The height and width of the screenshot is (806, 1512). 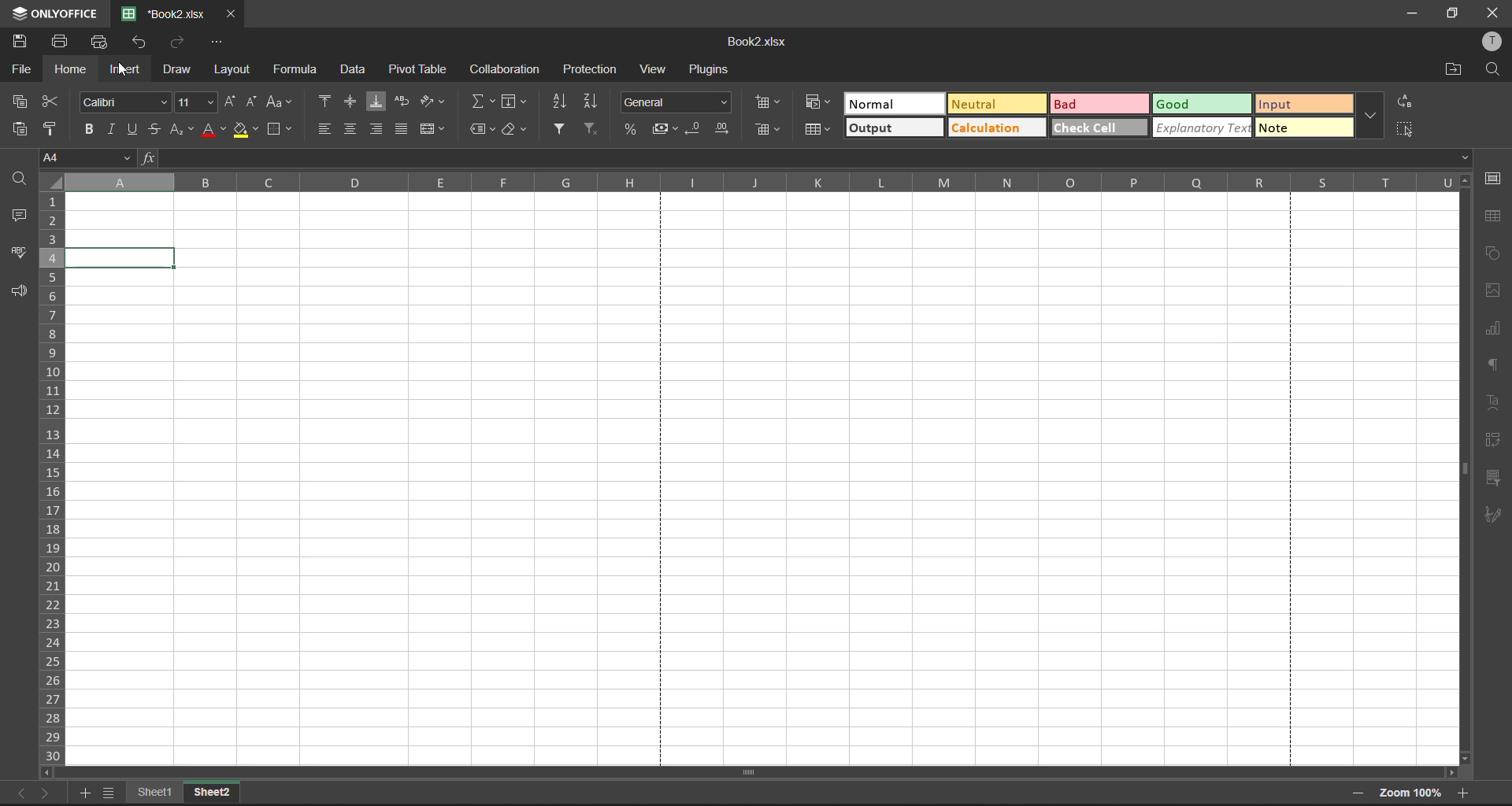 I want to click on zoom in, so click(x=1464, y=790).